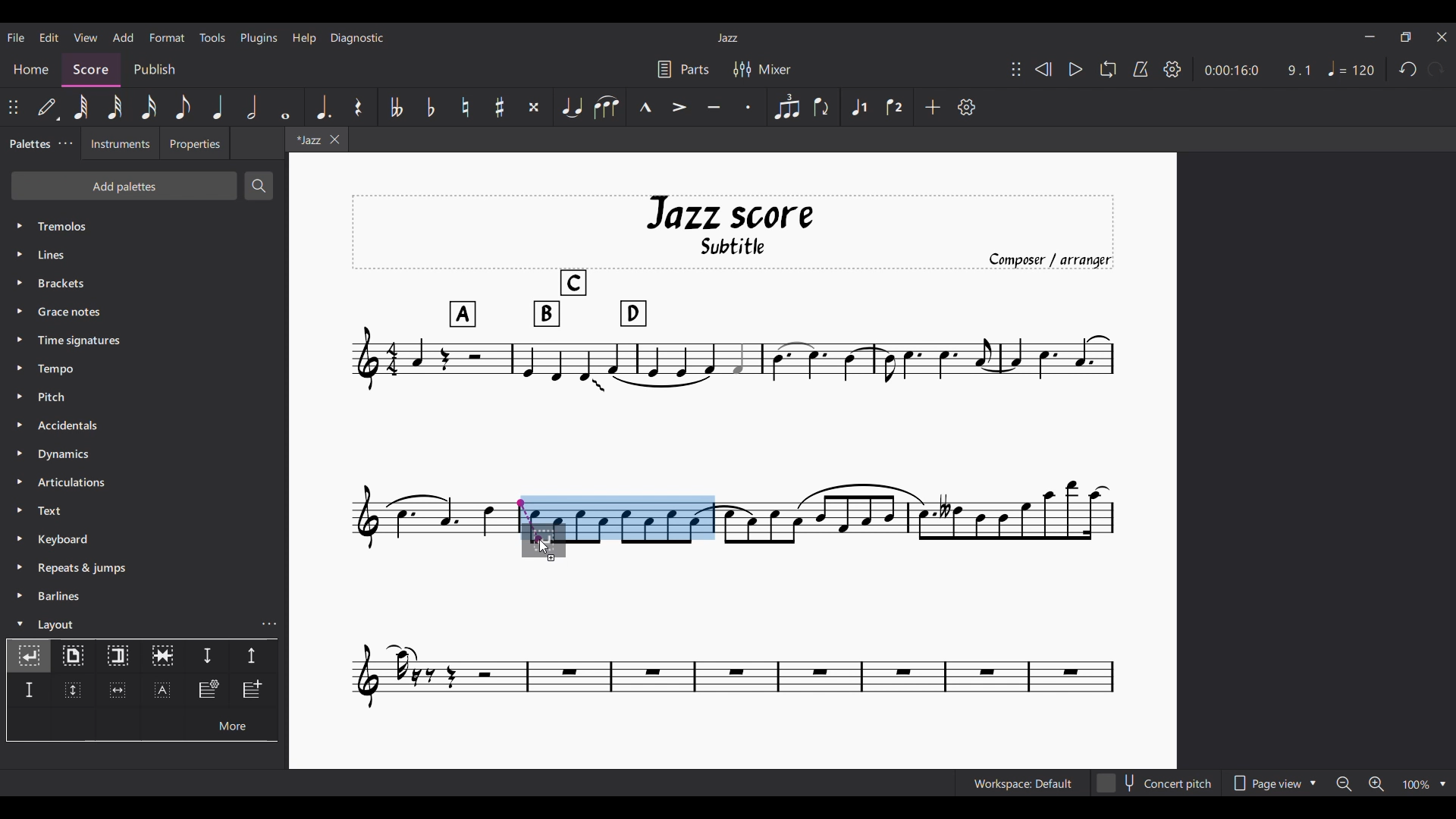 The width and height of the screenshot is (1456, 819). Describe the element at coordinates (357, 38) in the screenshot. I see `Diagnostic menu` at that location.